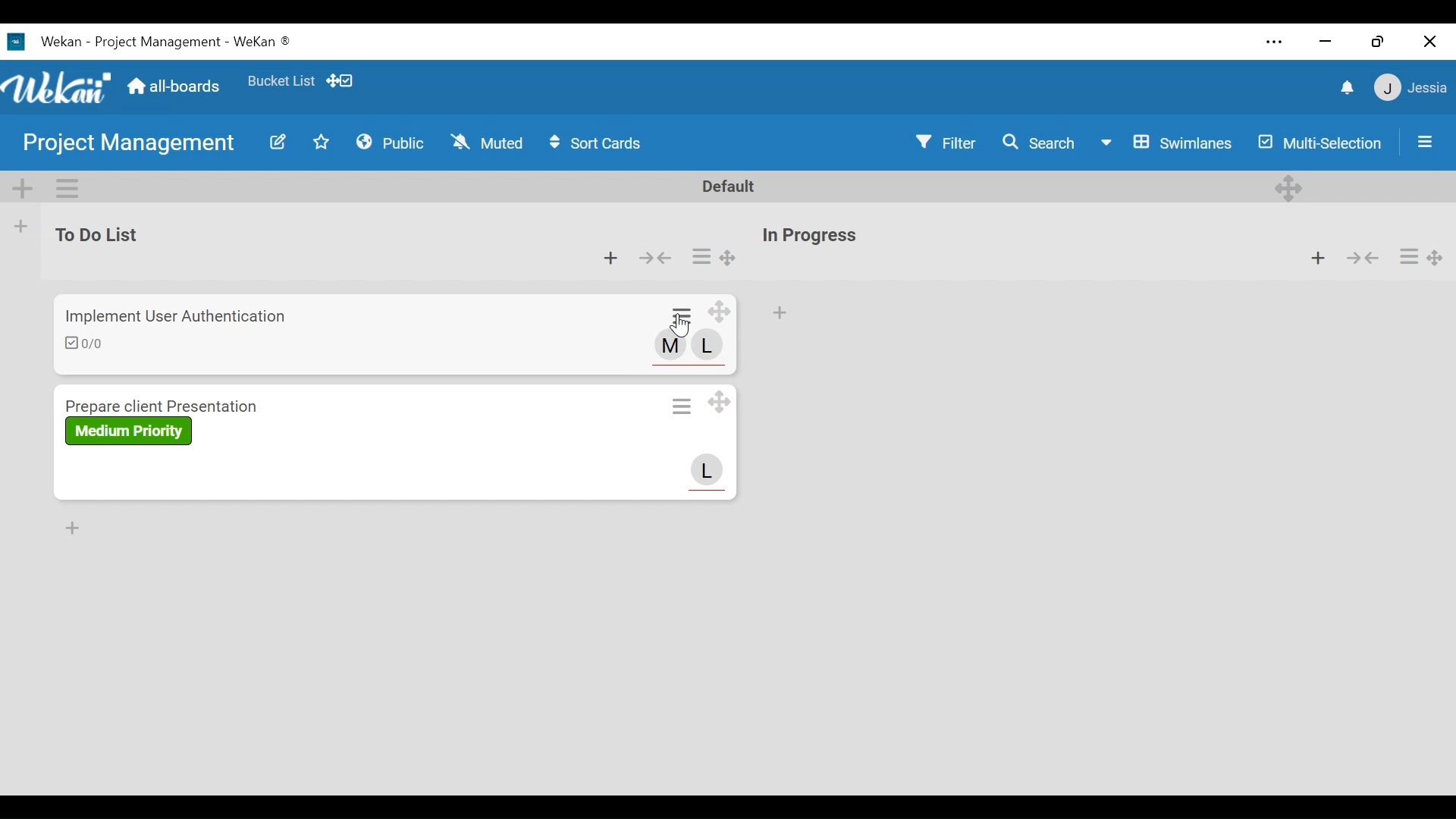  I want to click on Member, so click(706, 347).